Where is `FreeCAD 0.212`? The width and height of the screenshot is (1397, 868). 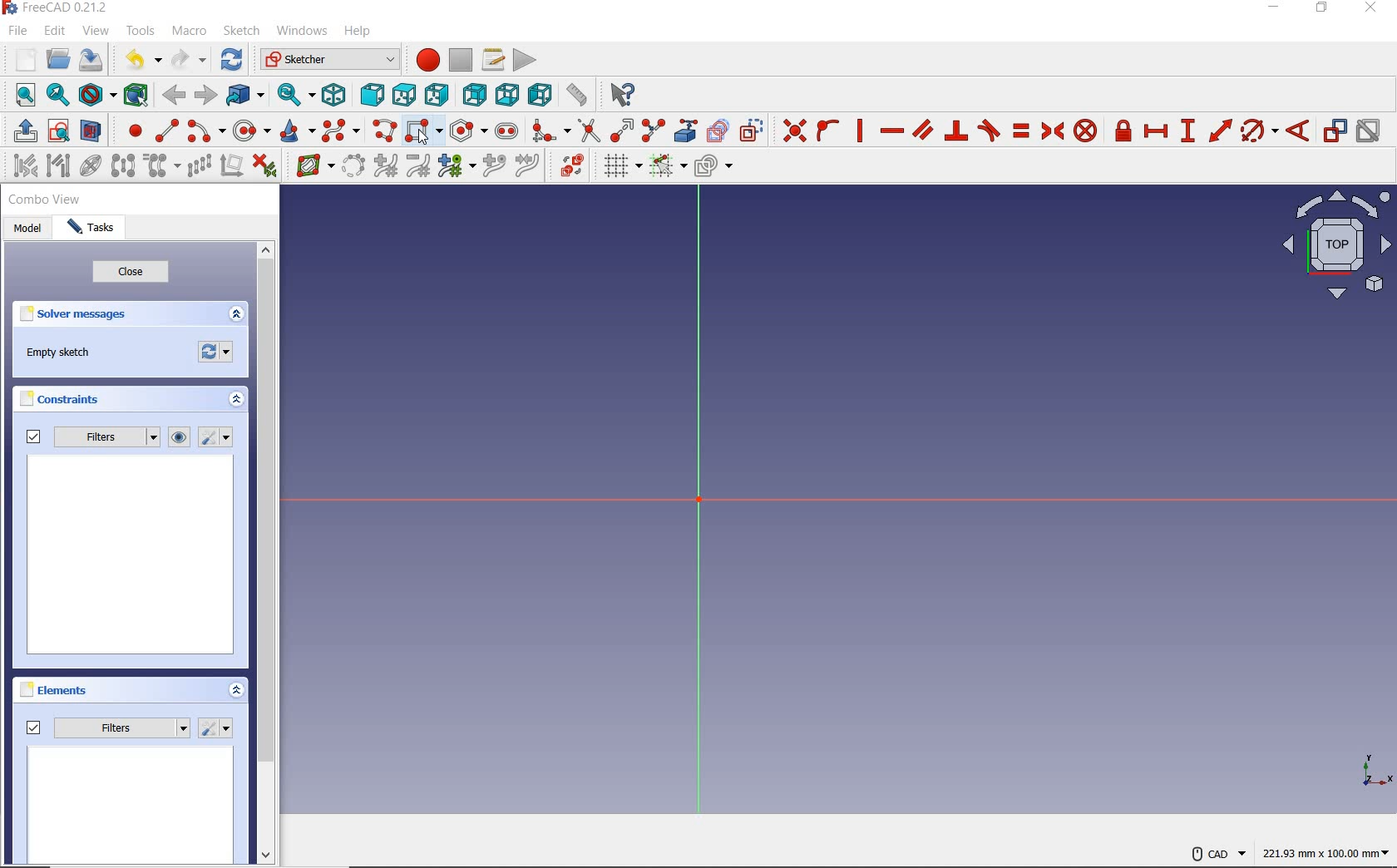
FreeCAD 0.212 is located at coordinates (61, 8).